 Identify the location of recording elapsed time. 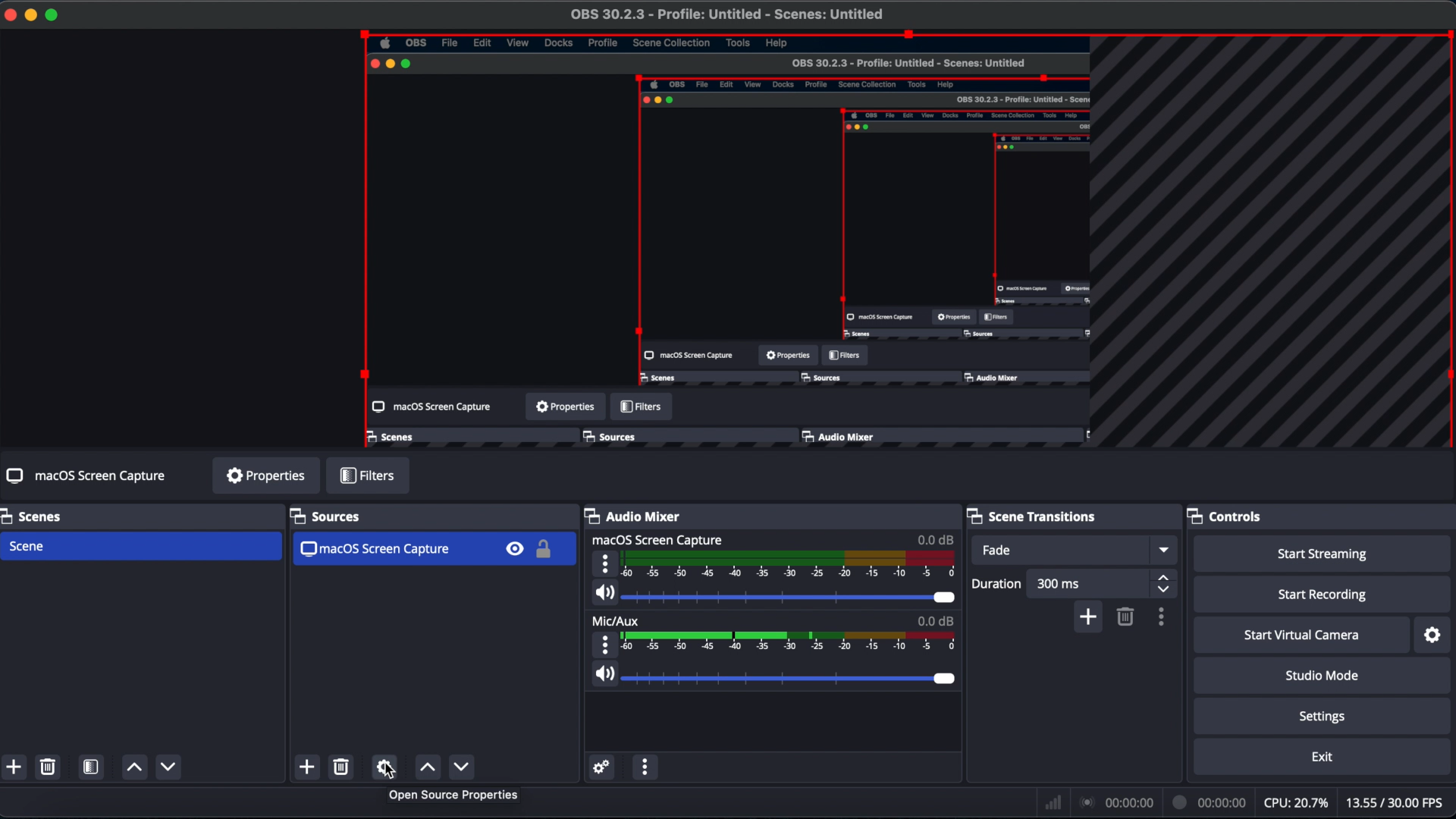
(1210, 802).